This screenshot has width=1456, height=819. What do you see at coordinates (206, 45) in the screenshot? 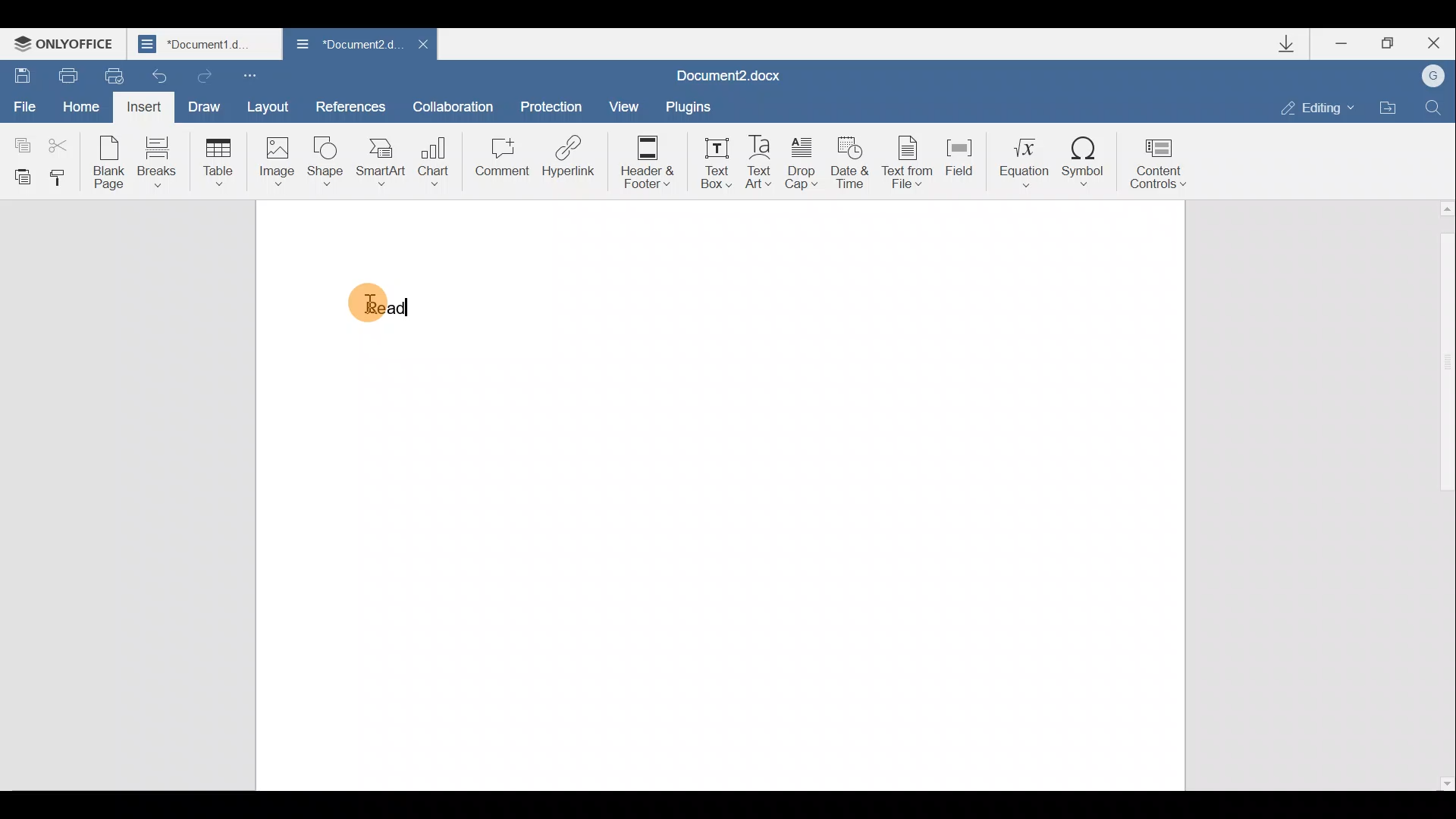
I see `*Document1.d...` at bounding box center [206, 45].